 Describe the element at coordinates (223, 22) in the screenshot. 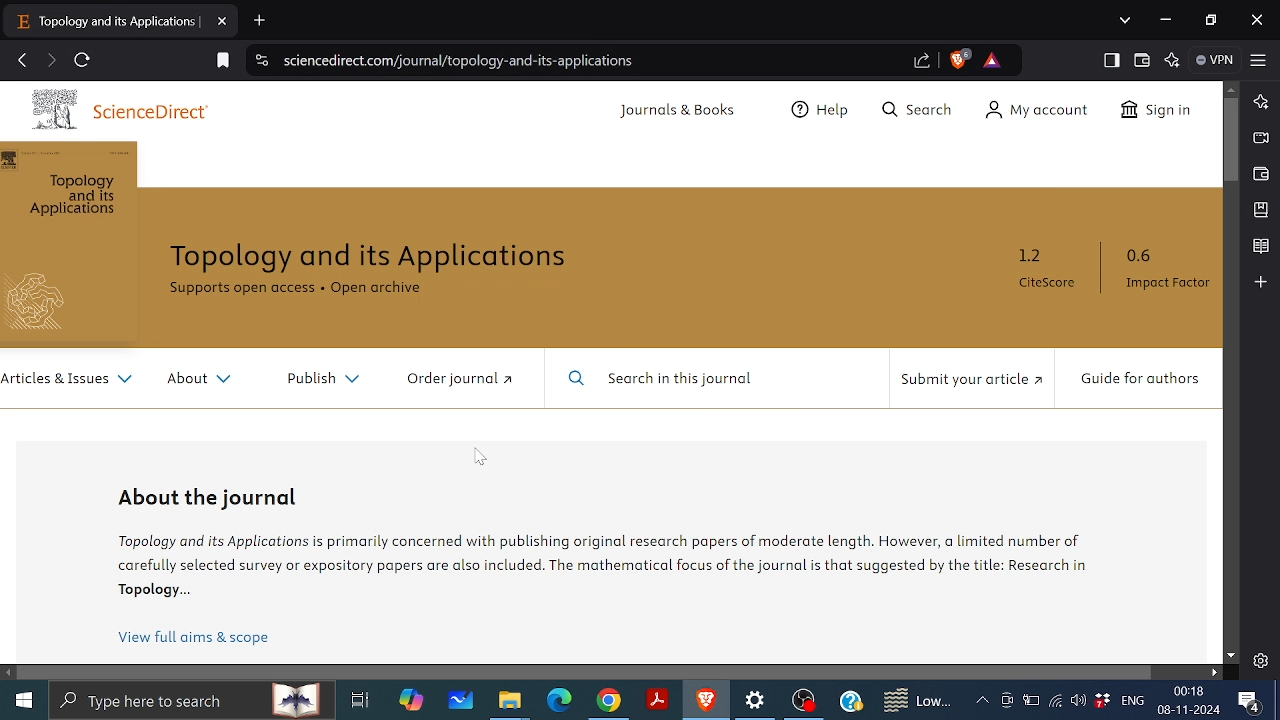

I see `Close current tab` at that location.